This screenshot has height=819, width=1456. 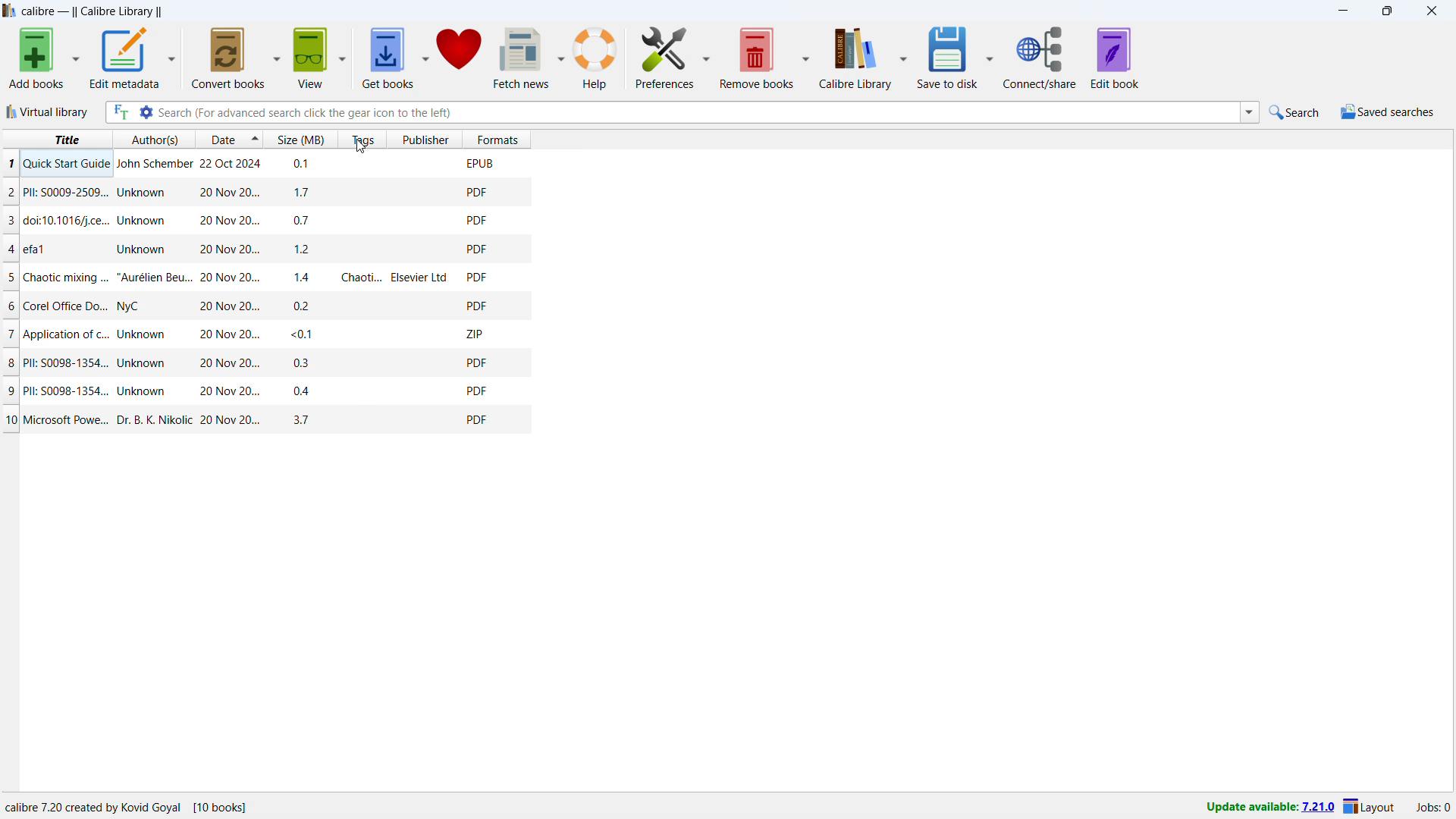 What do you see at coordinates (387, 57) in the screenshot?
I see `get books` at bounding box center [387, 57].